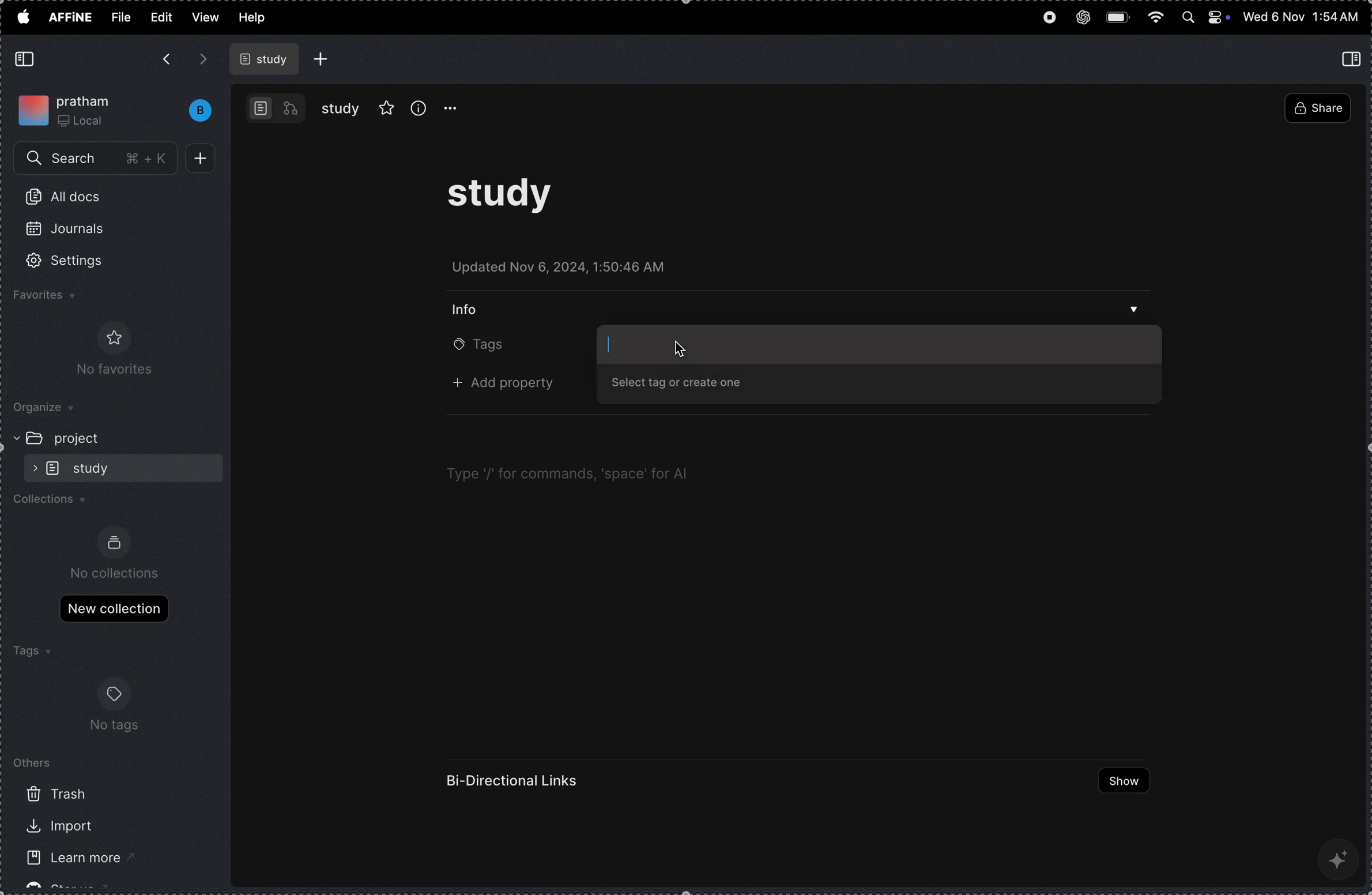  What do you see at coordinates (687, 385) in the screenshot?
I see `select tag or create one` at bounding box center [687, 385].